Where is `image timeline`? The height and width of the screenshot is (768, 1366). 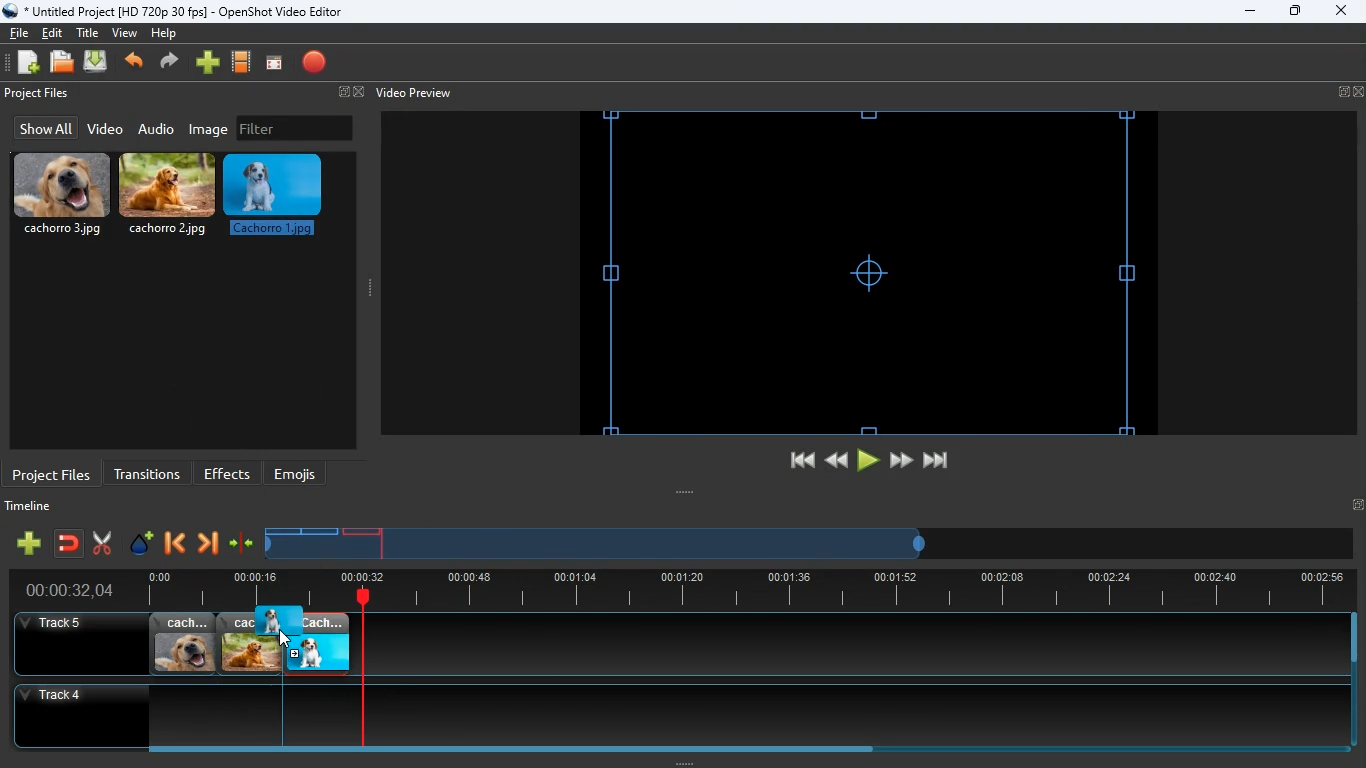
image timeline is located at coordinates (282, 531).